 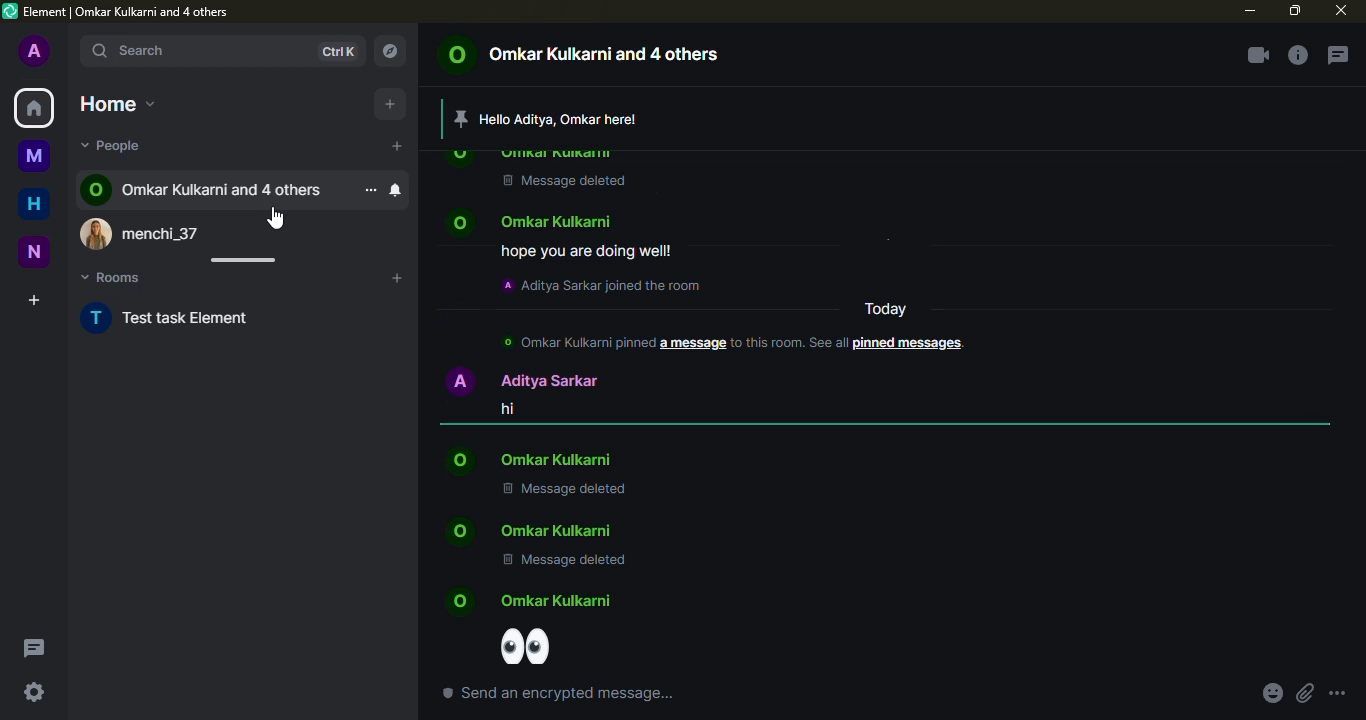 What do you see at coordinates (1338, 694) in the screenshot?
I see `more` at bounding box center [1338, 694].